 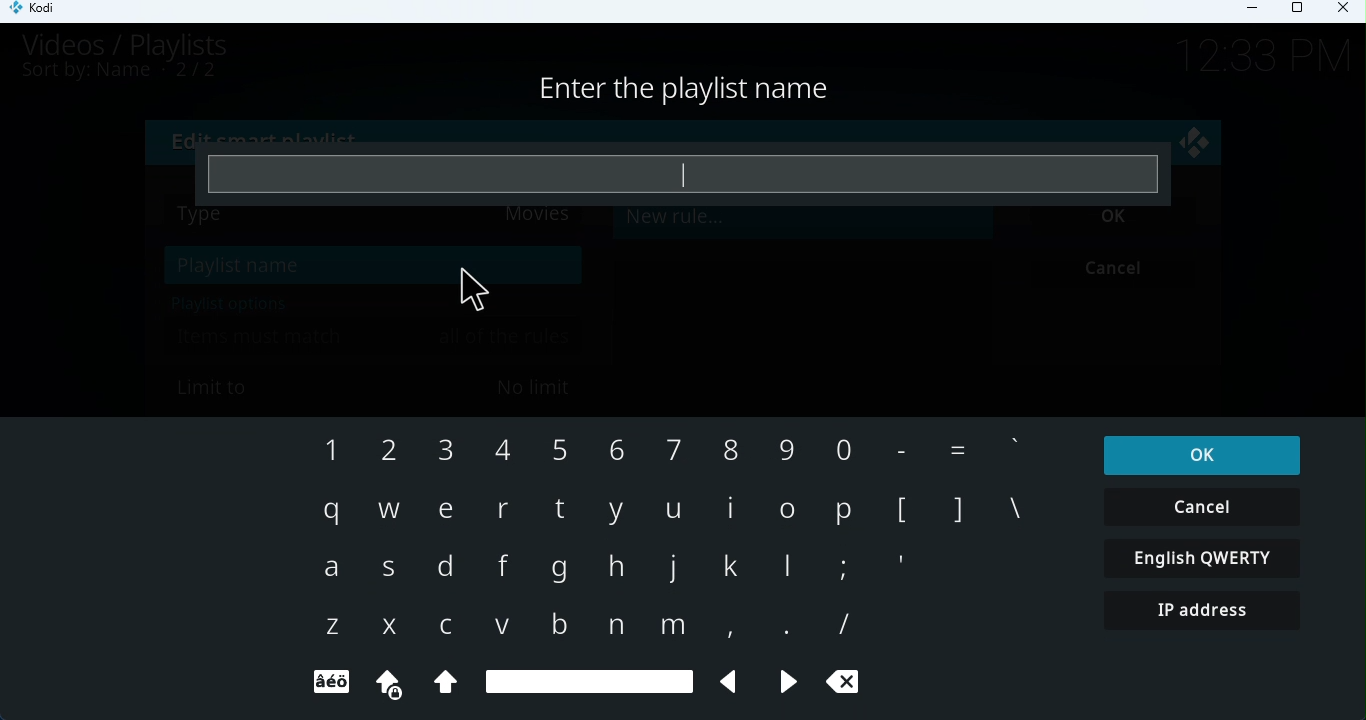 What do you see at coordinates (1204, 557) in the screenshot?
I see `English QWERTY` at bounding box center [1204, 557].